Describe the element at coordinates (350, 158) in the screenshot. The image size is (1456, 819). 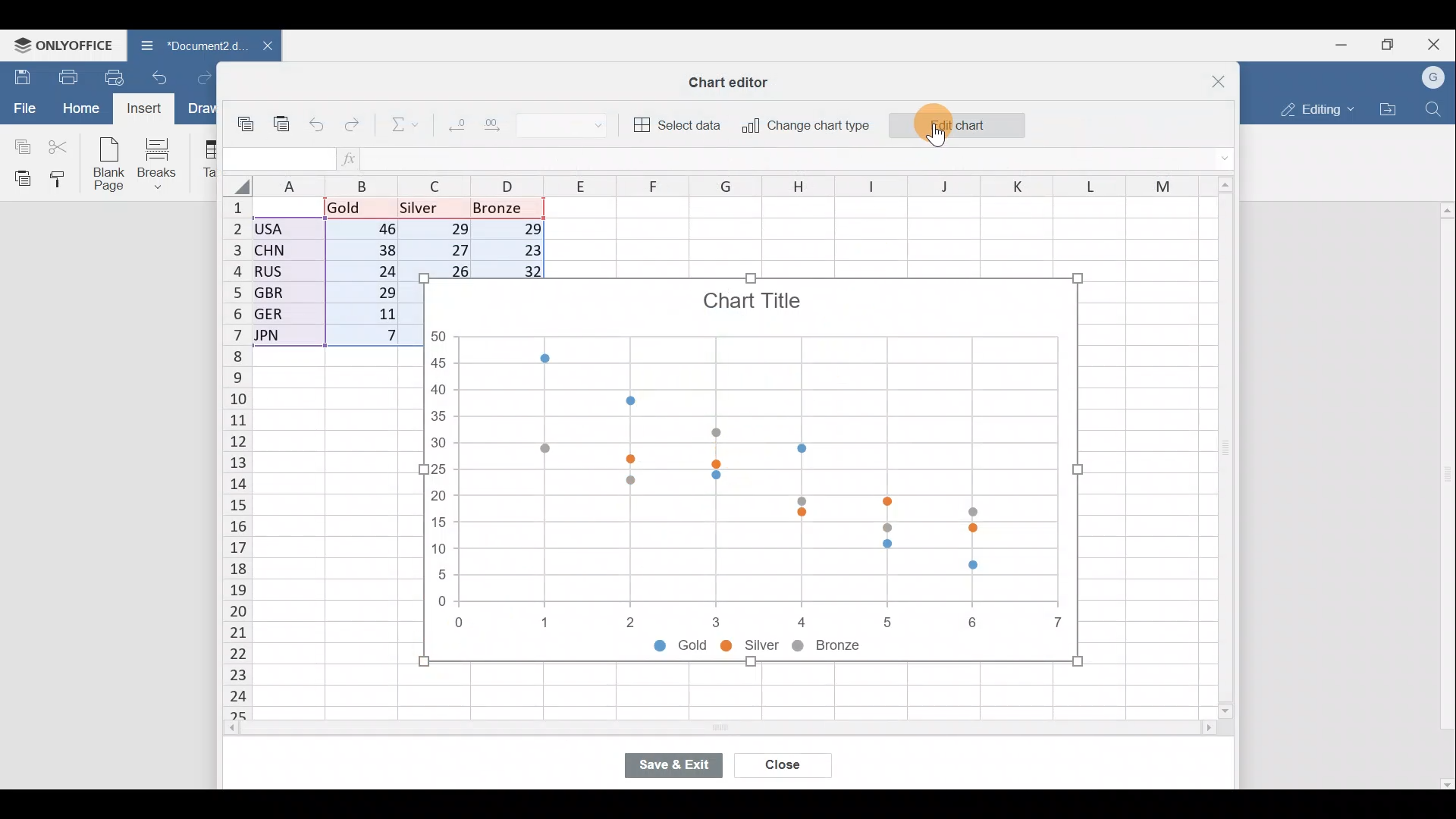
I see `Insert function` at that location.